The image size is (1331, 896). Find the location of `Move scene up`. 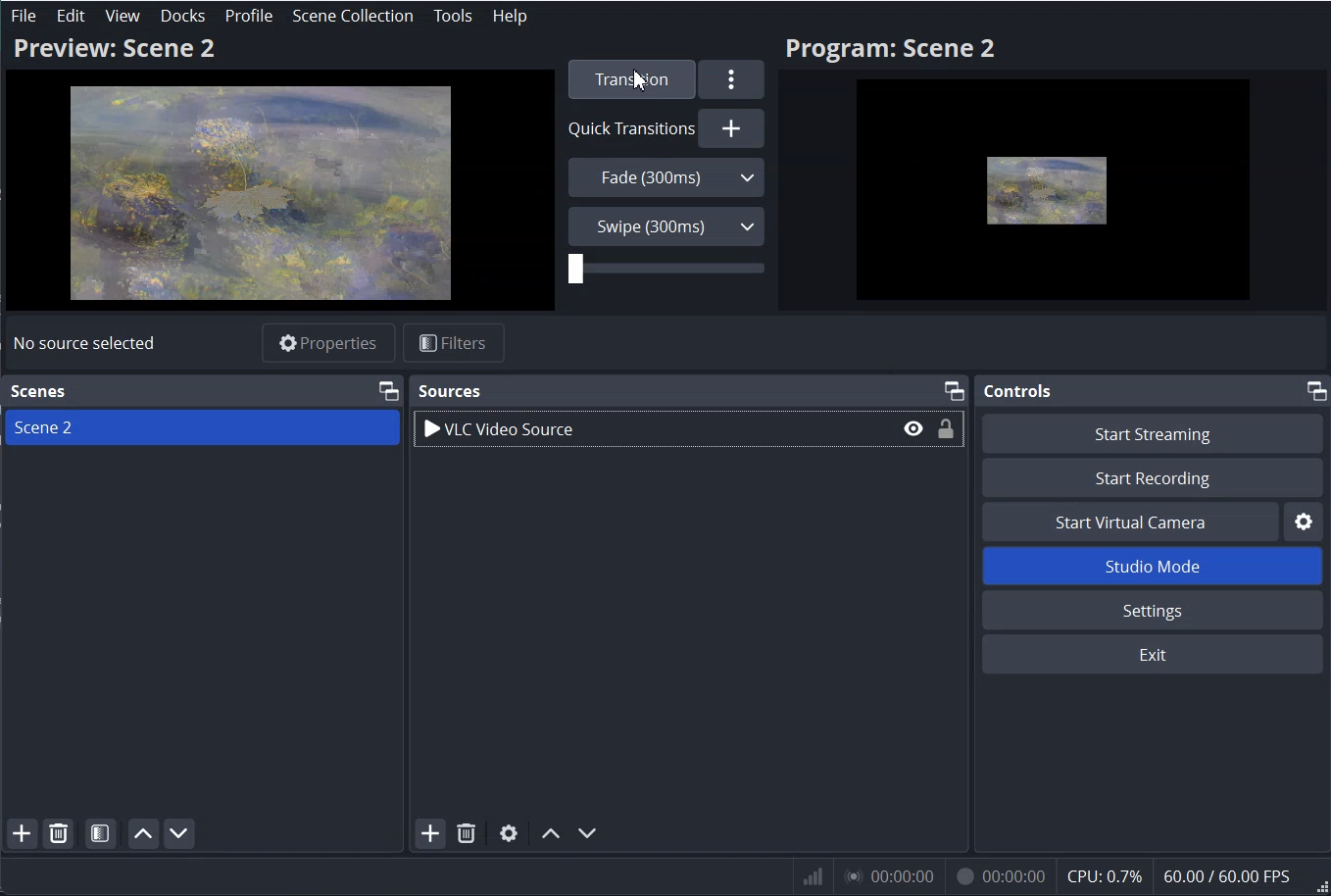

Move scene up is located at coordinates (142, 833).